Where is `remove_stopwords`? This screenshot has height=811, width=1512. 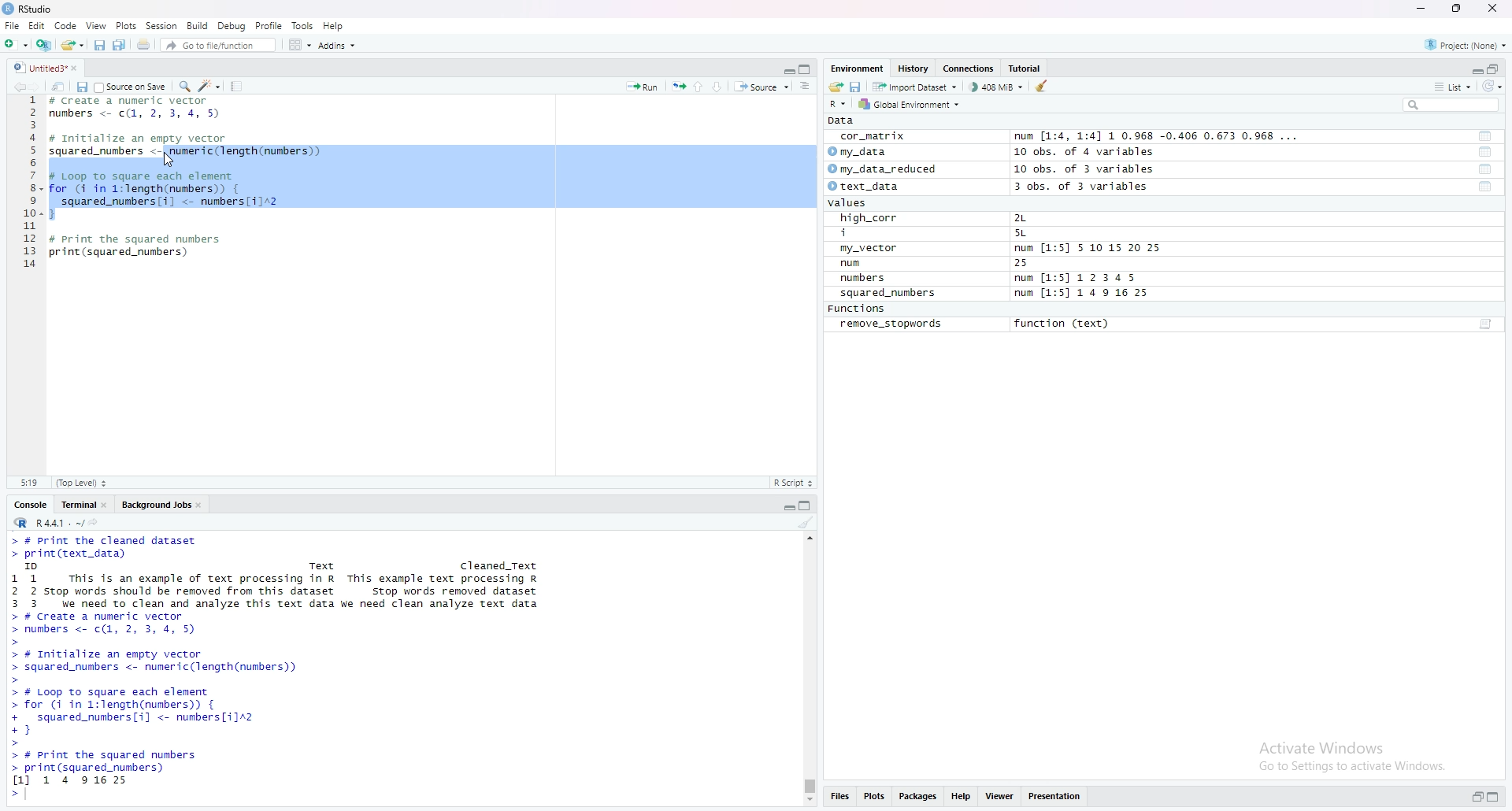 remove_stopwords is located at coordinates (891, 324).